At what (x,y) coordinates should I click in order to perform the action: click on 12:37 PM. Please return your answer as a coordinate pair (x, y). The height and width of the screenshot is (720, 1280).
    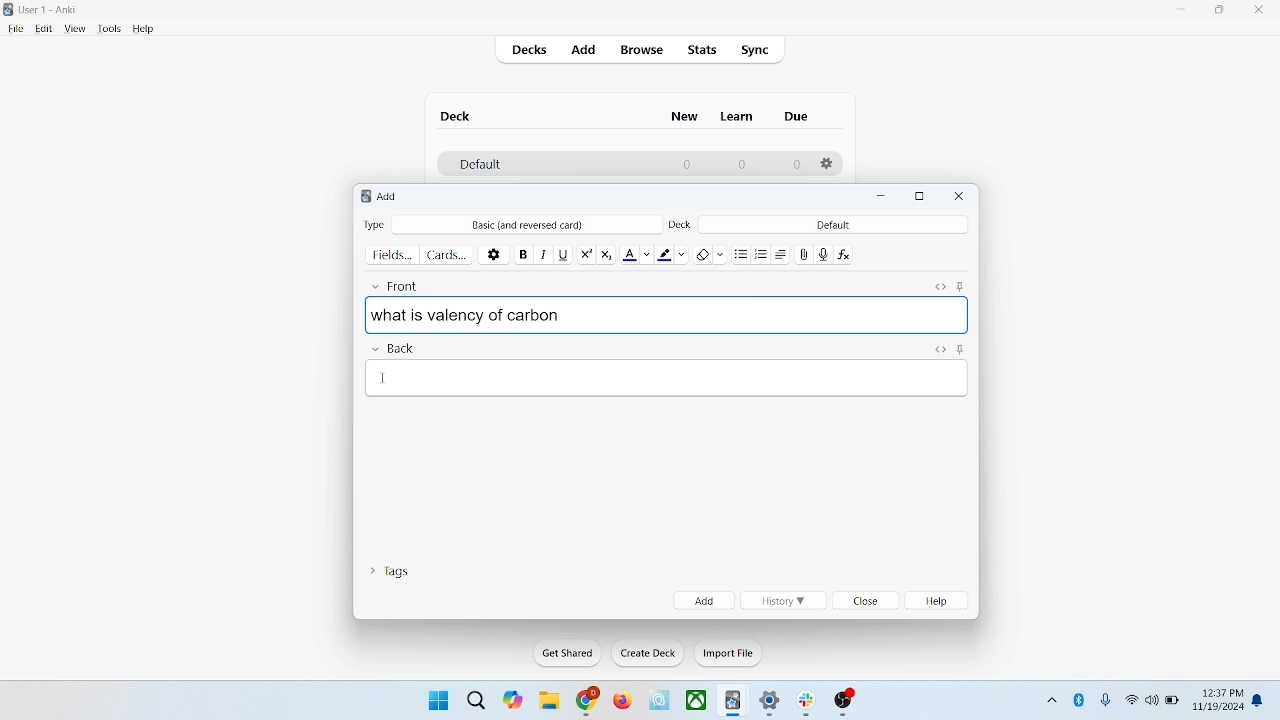
    Looking at the image, I should click on (1221, 693).